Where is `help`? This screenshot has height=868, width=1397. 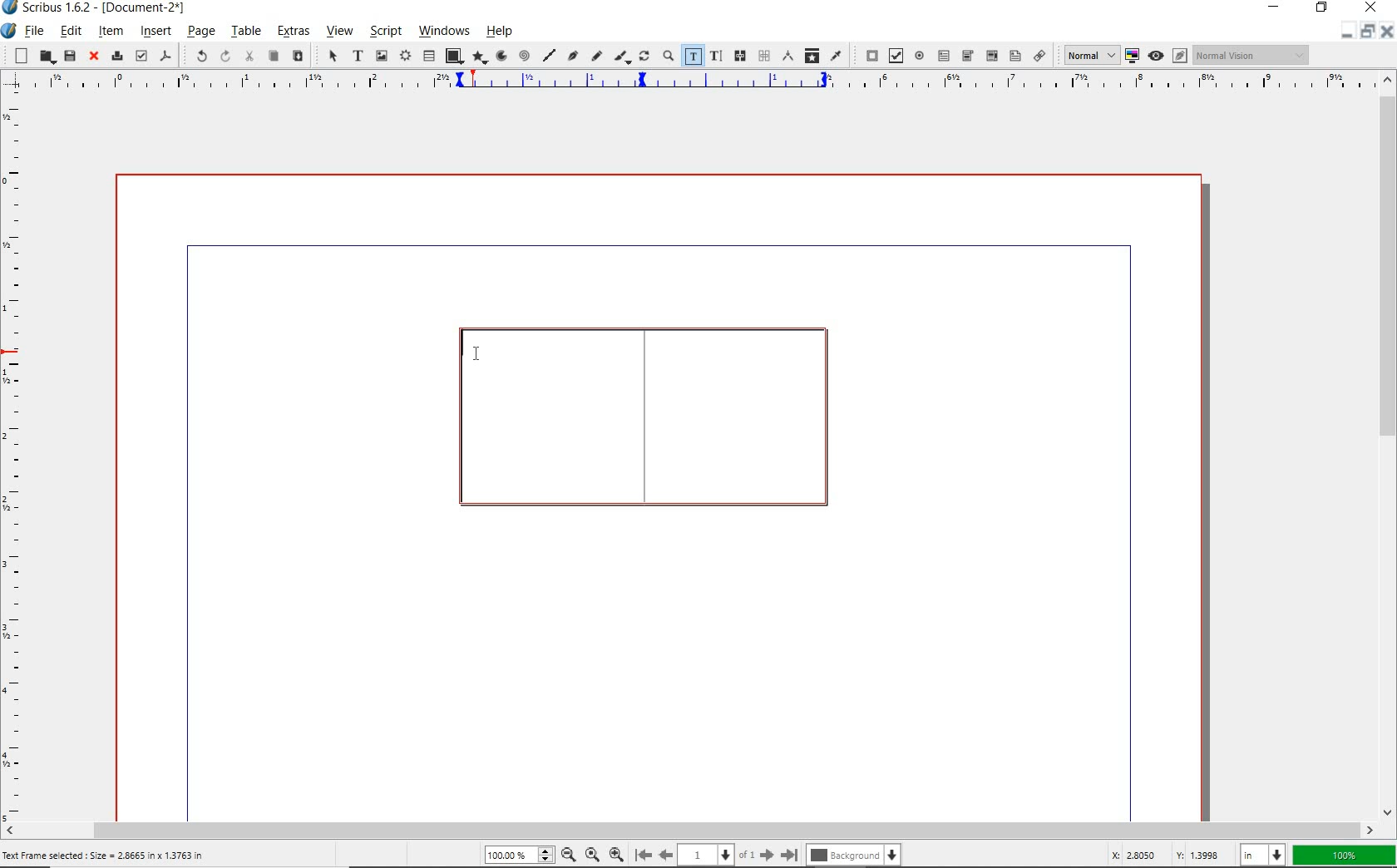 help is located at coordinates (499, 31).